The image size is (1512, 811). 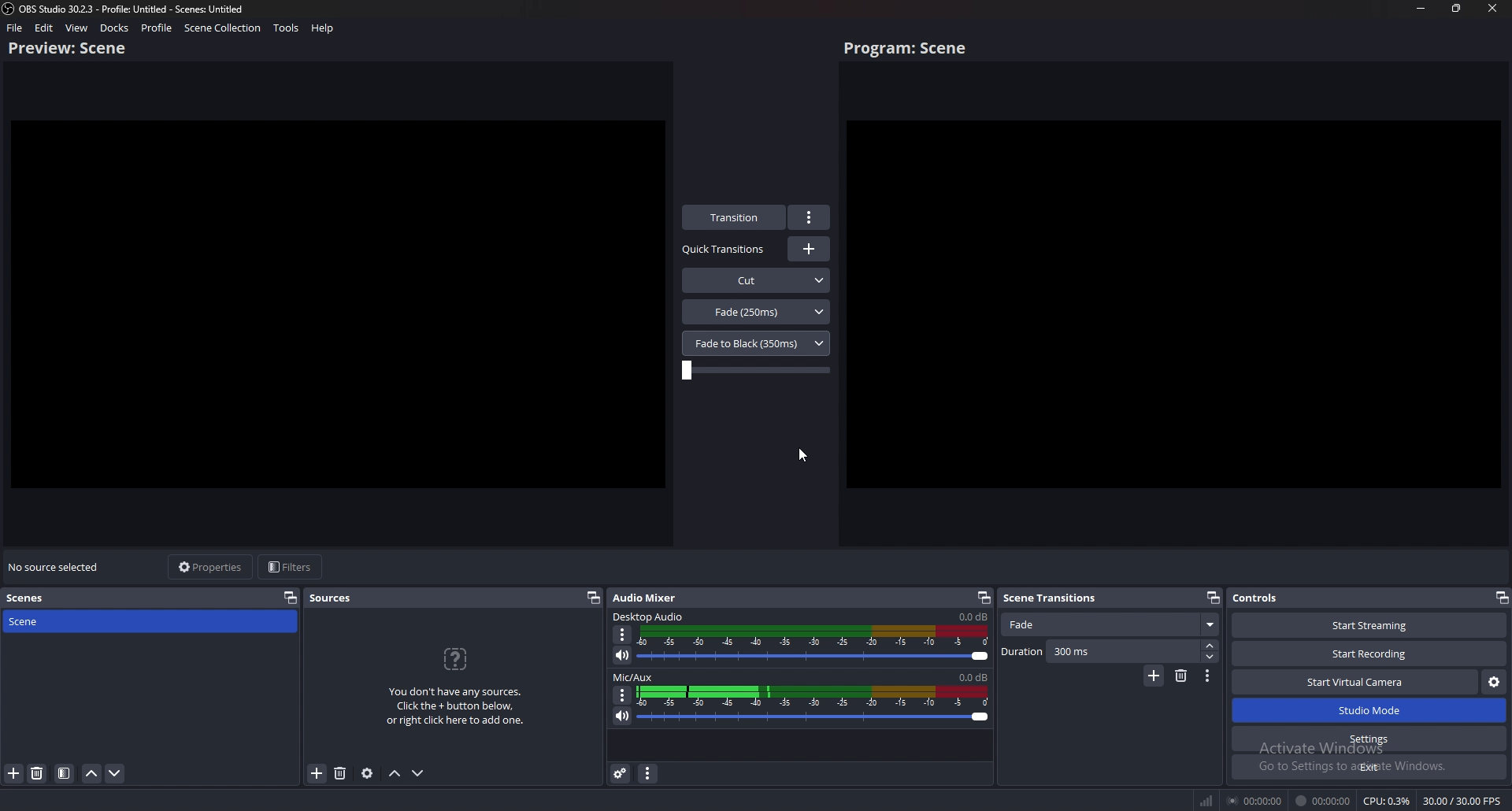 What do you see at coordinates (1213, 597) in the screenshot?
I see `Pop out` at bounding box center [1213, 597].